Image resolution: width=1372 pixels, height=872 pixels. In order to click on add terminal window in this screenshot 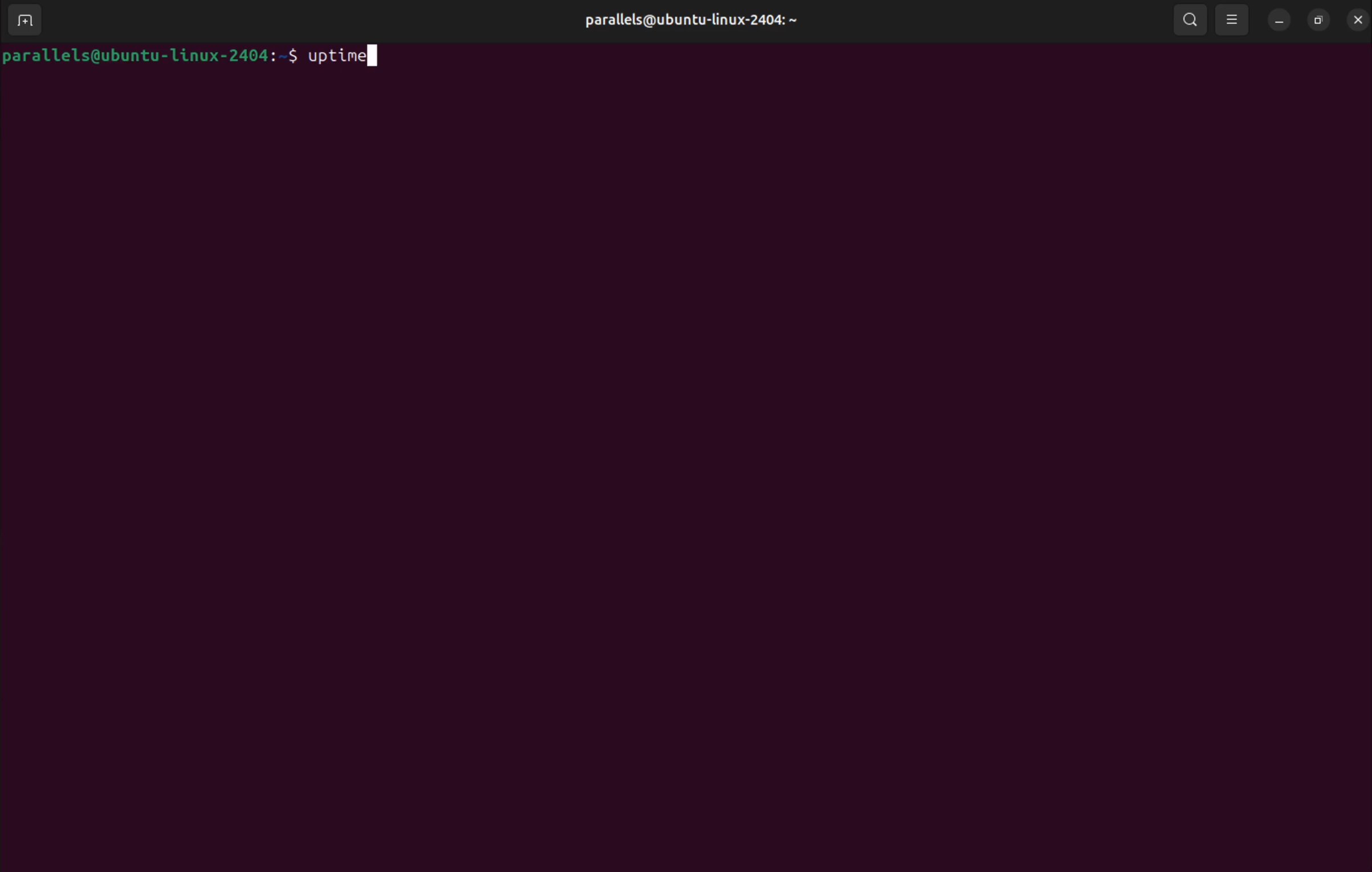, I will do `click(23, 18)`.